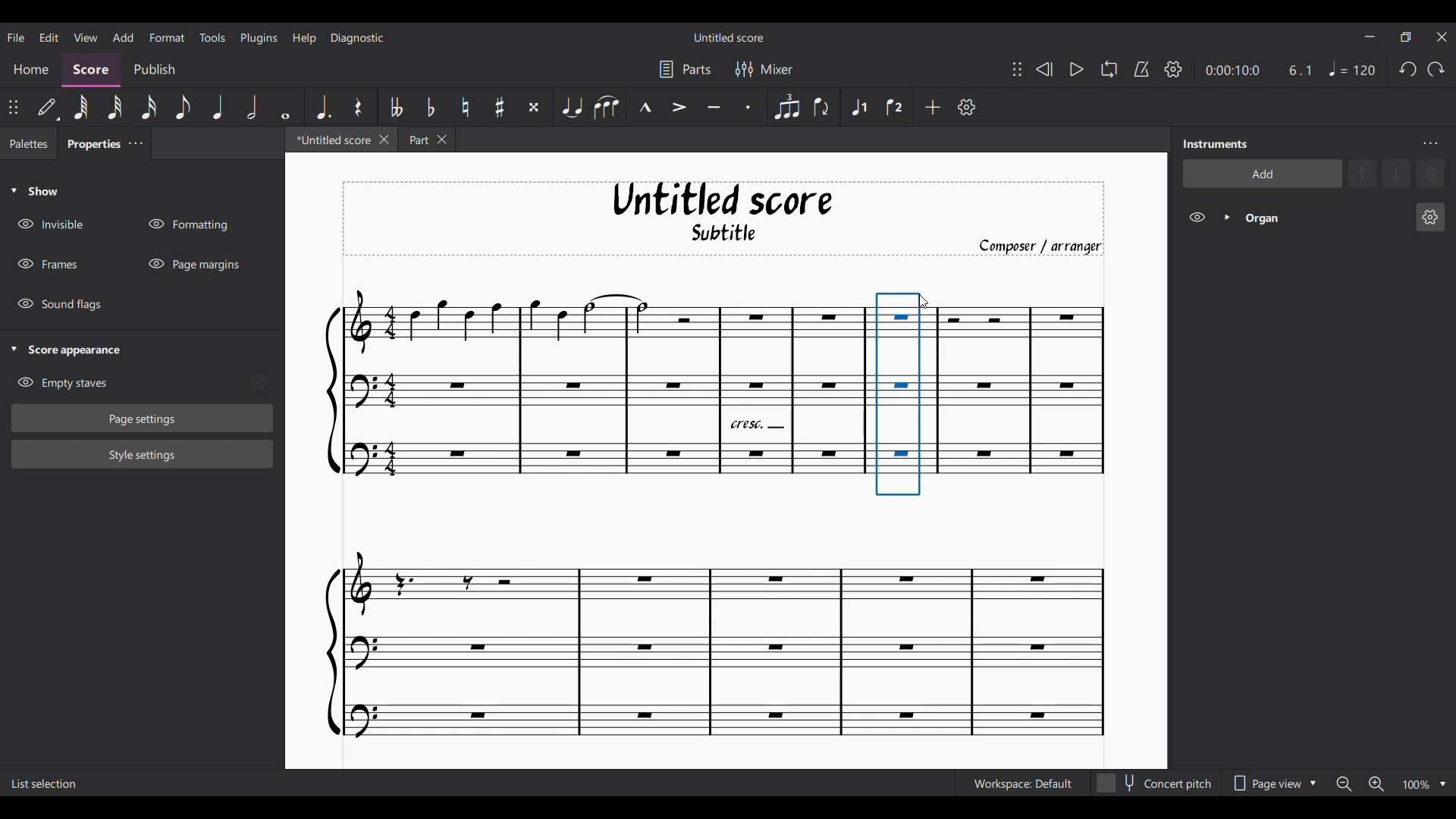 The height and width of the screenshot is (819, 1456). I want to click on Zoom out, so click(1344, 783).